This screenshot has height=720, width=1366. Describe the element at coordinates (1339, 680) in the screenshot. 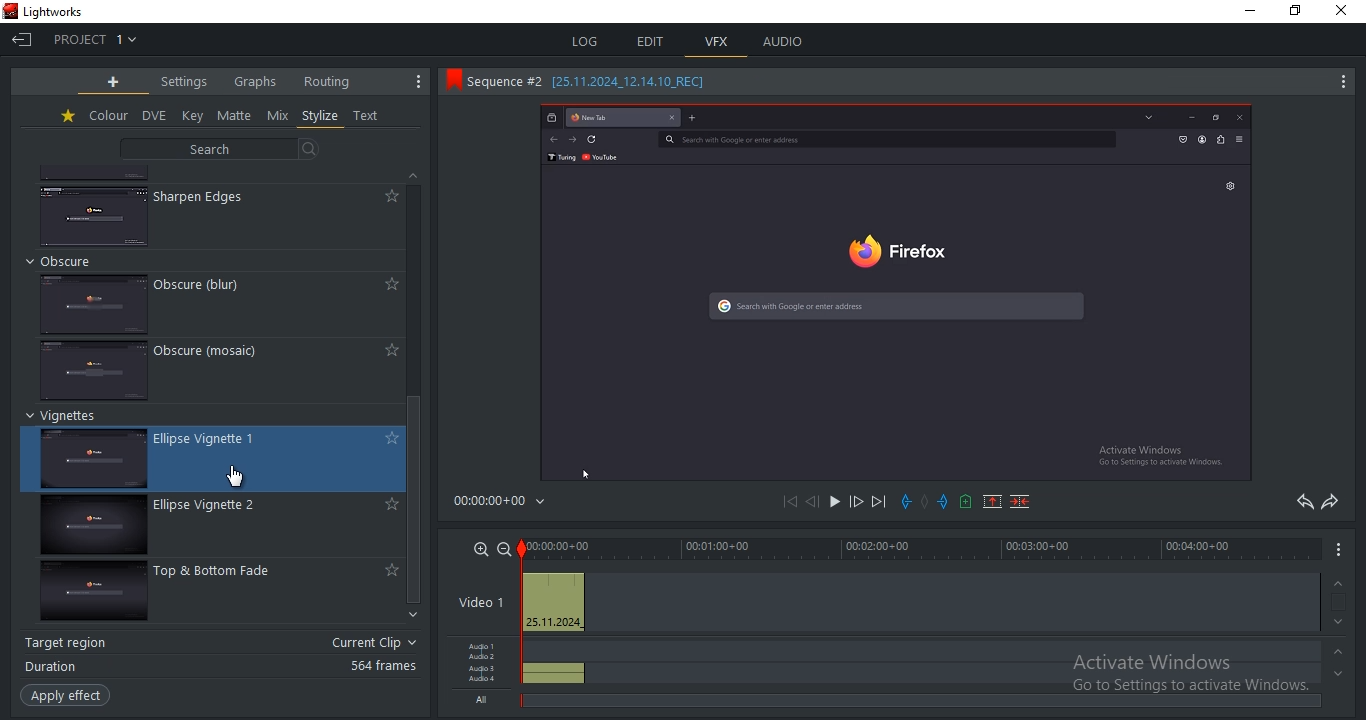

I see `greyed out down arrow` at that location.